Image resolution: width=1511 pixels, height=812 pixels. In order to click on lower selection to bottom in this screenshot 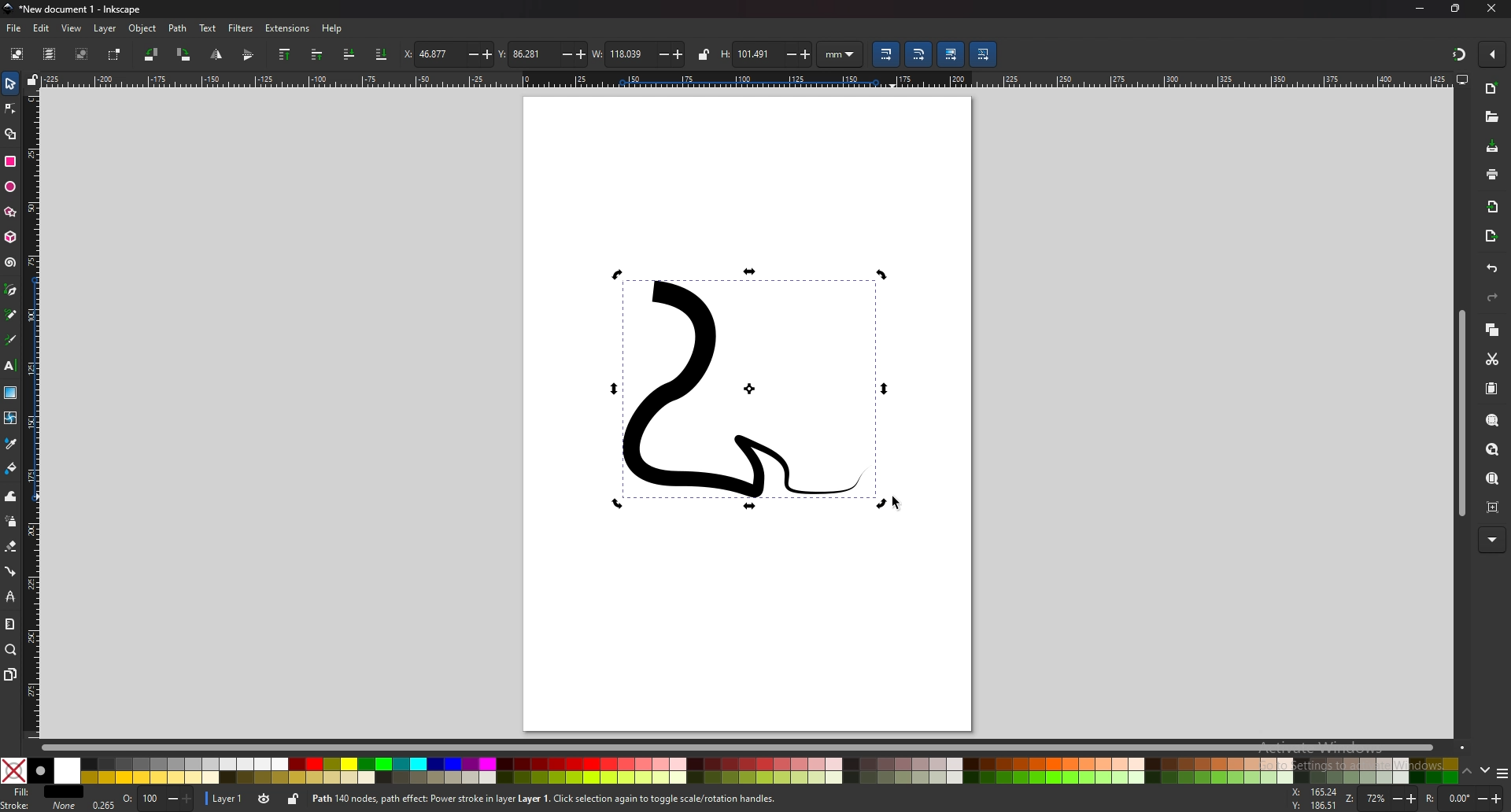, I will do `click(381, 54)`.